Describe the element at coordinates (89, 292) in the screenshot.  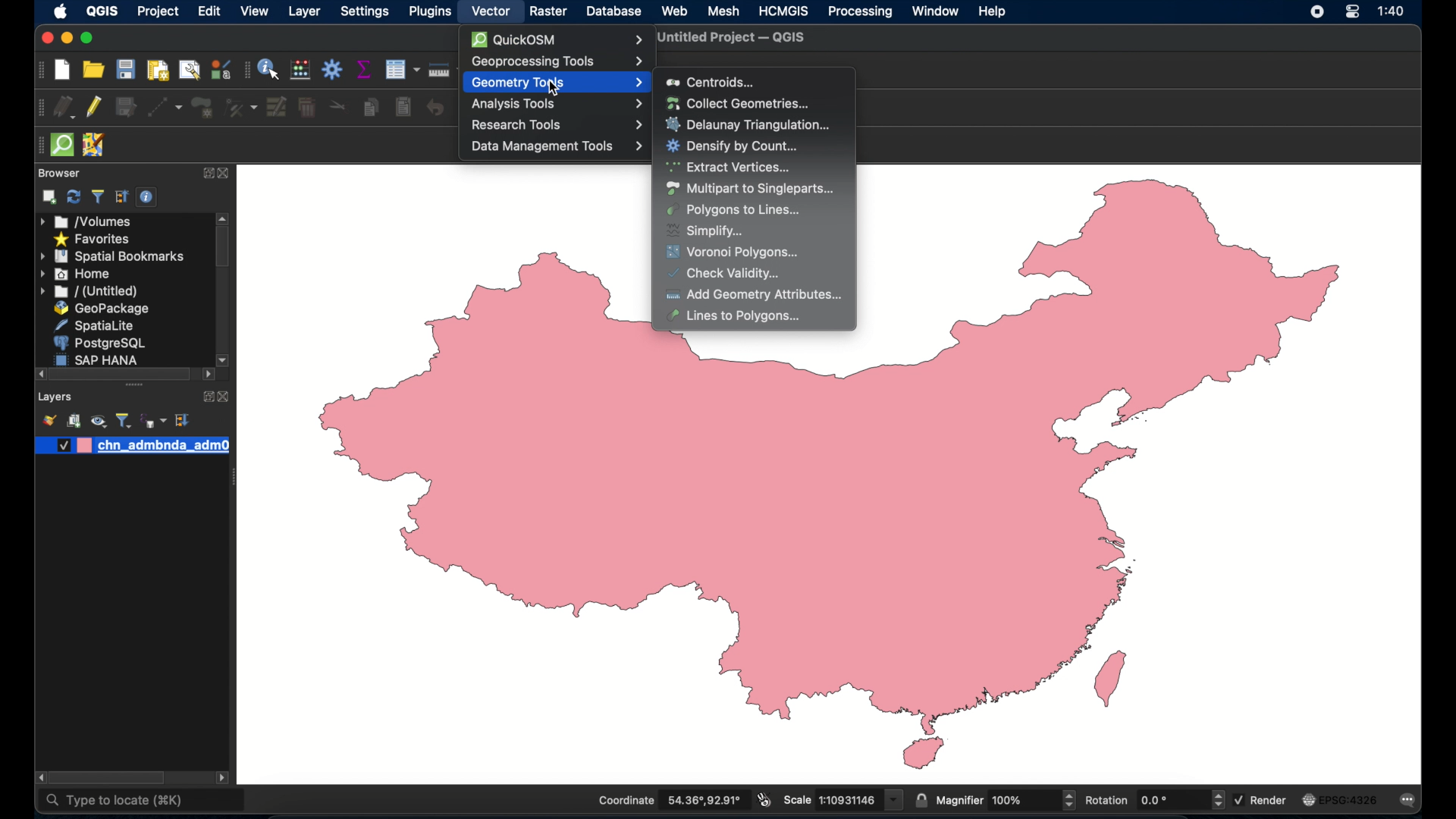
I see `untitled menu` at that location.